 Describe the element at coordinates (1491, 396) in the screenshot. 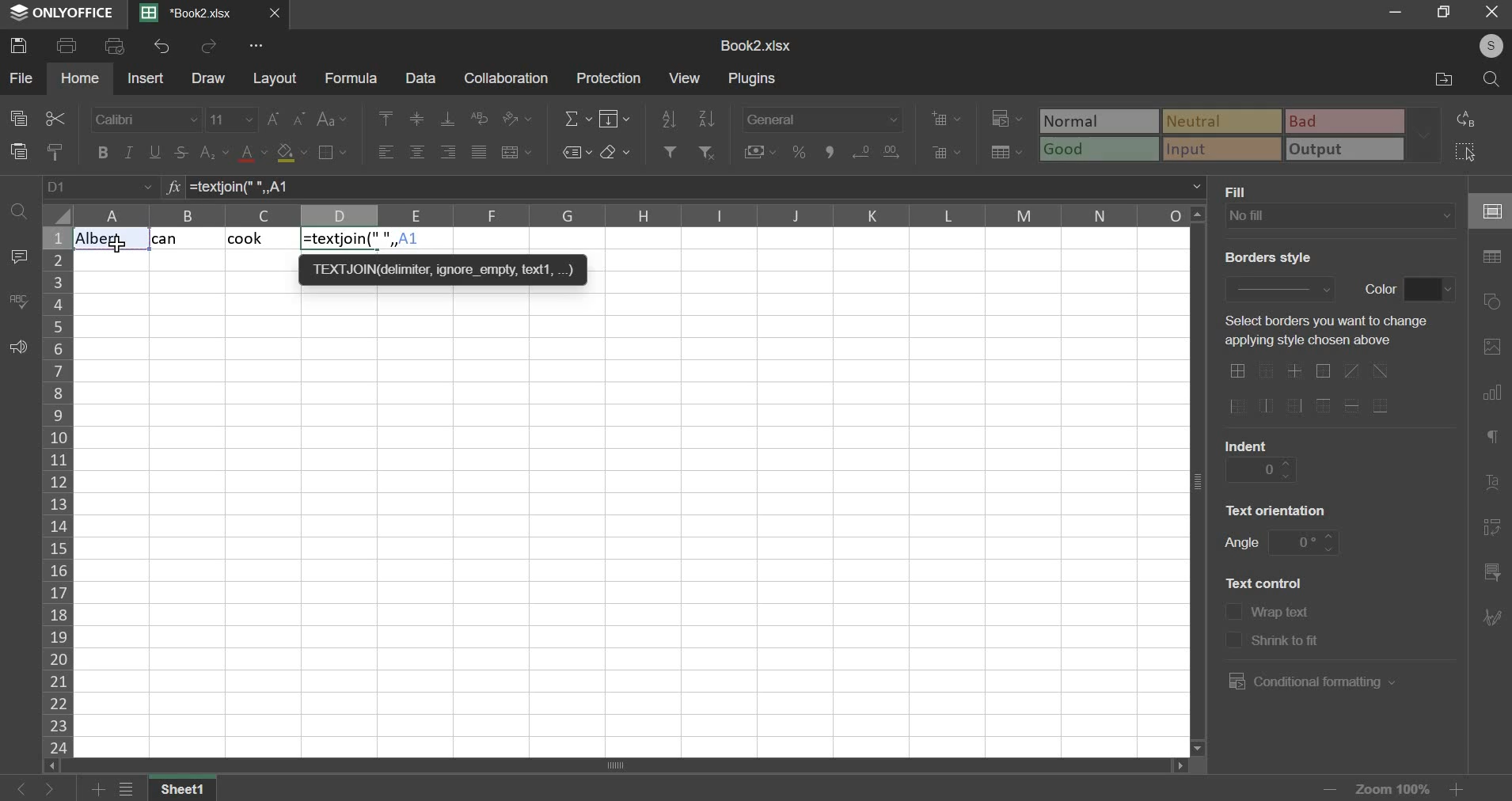

I see `chart` at that location.